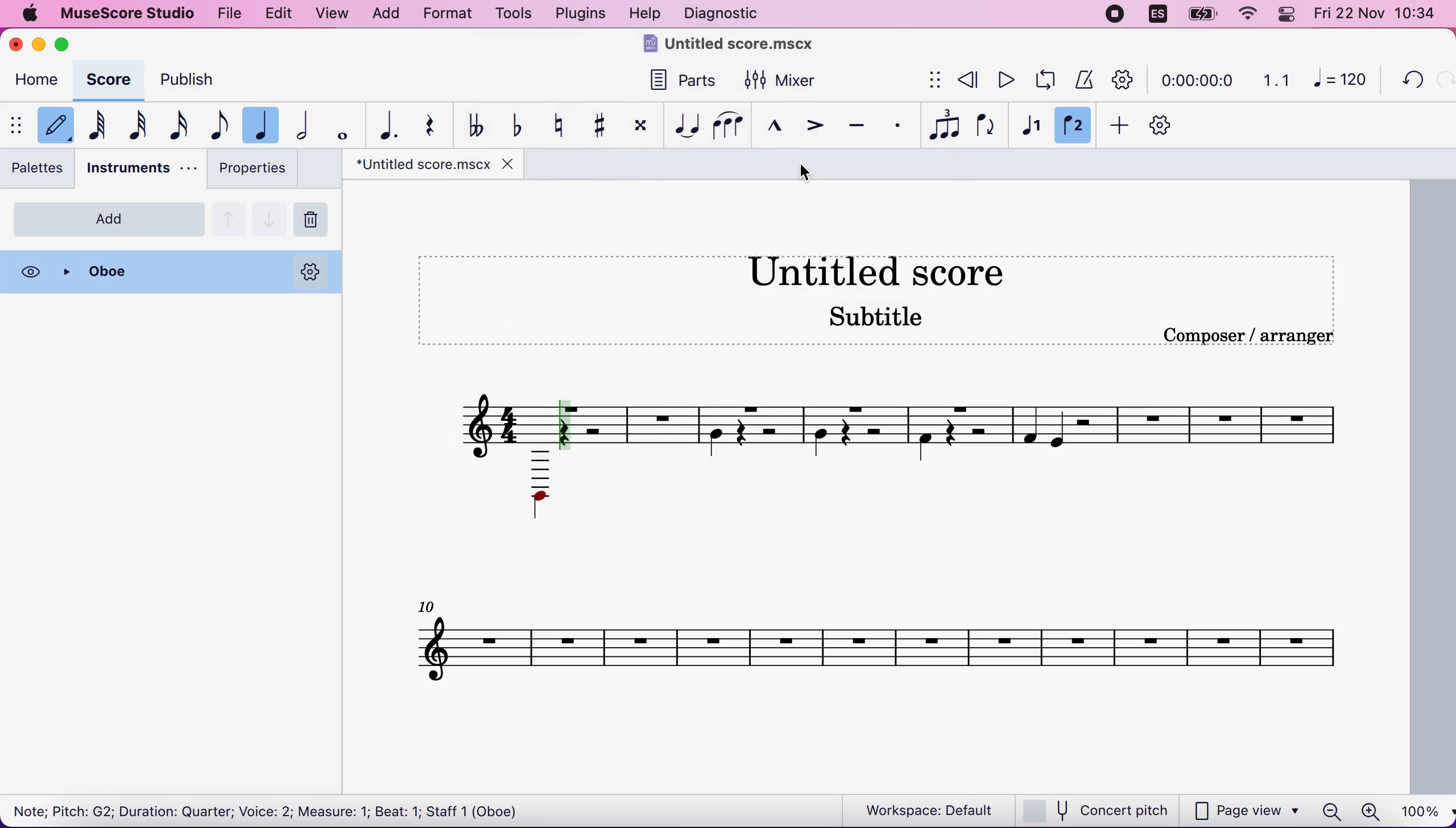 The image size is (1456, 828). What do you see at coordinates (1341, 78) in the screenshot?
I see `120` at bounding box center [1341, 78].